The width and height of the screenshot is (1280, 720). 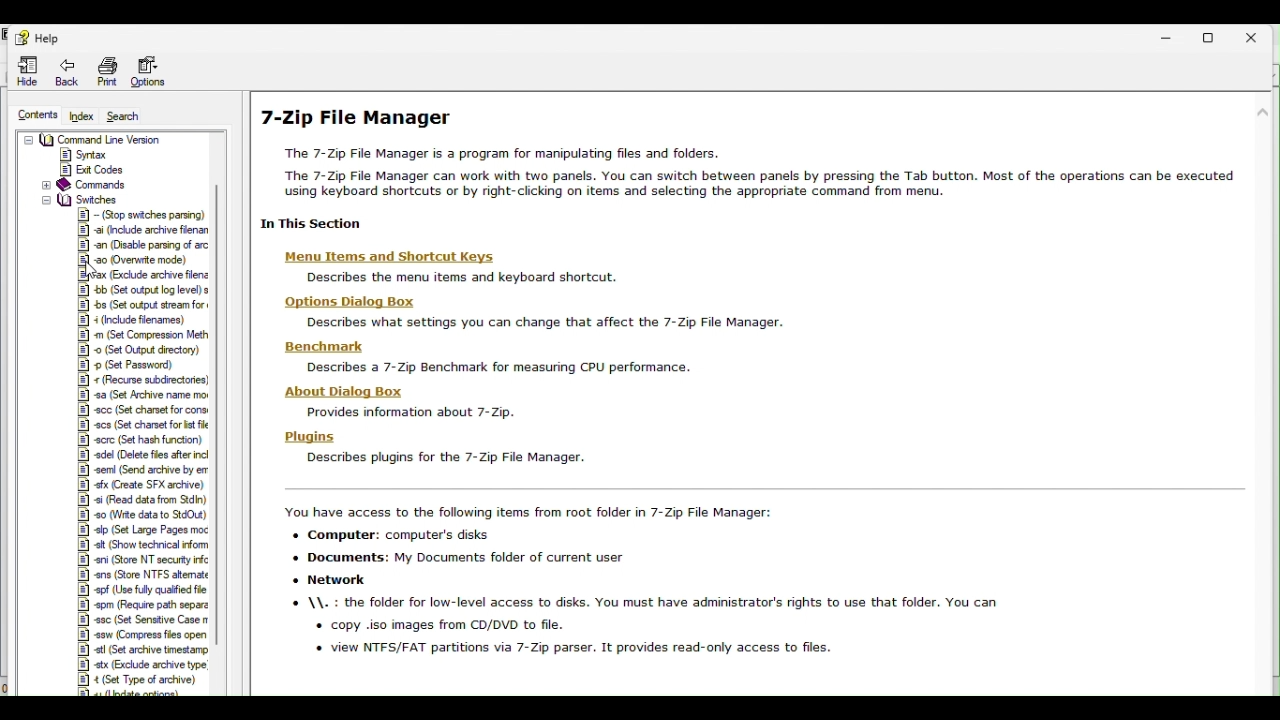 What do you see at coordinates (132, 365) in the screenshot?
I see `8] © (Set Password)` at bounding box center [132, 365].